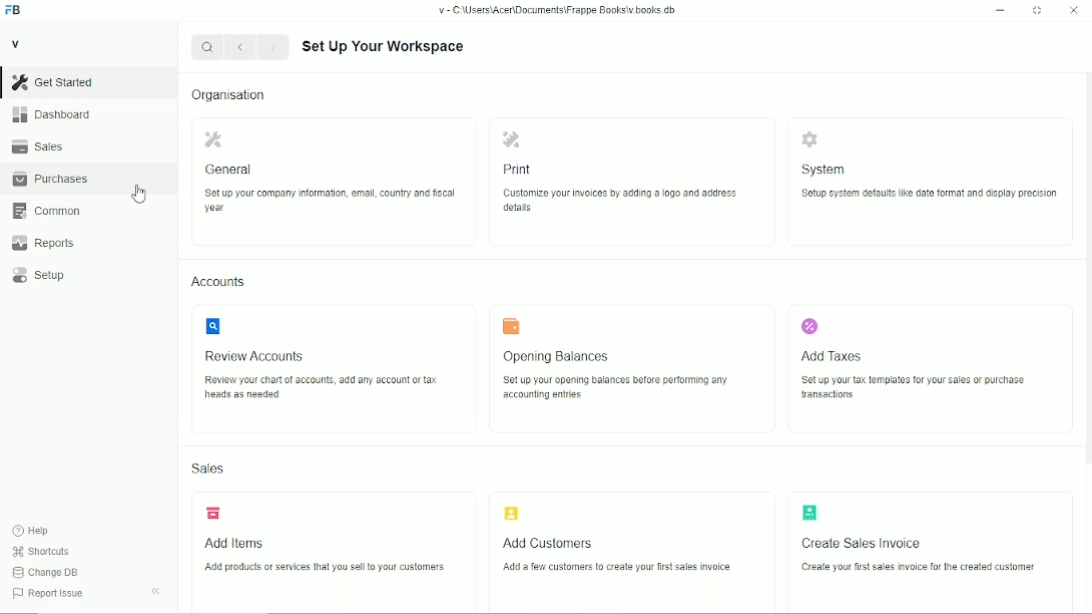 This screenshot has height=614, width=1092. What do you see at coordinates (384, 47) in the screenshot?
I see `Set up your workspace` at bounding box center [384, 47].